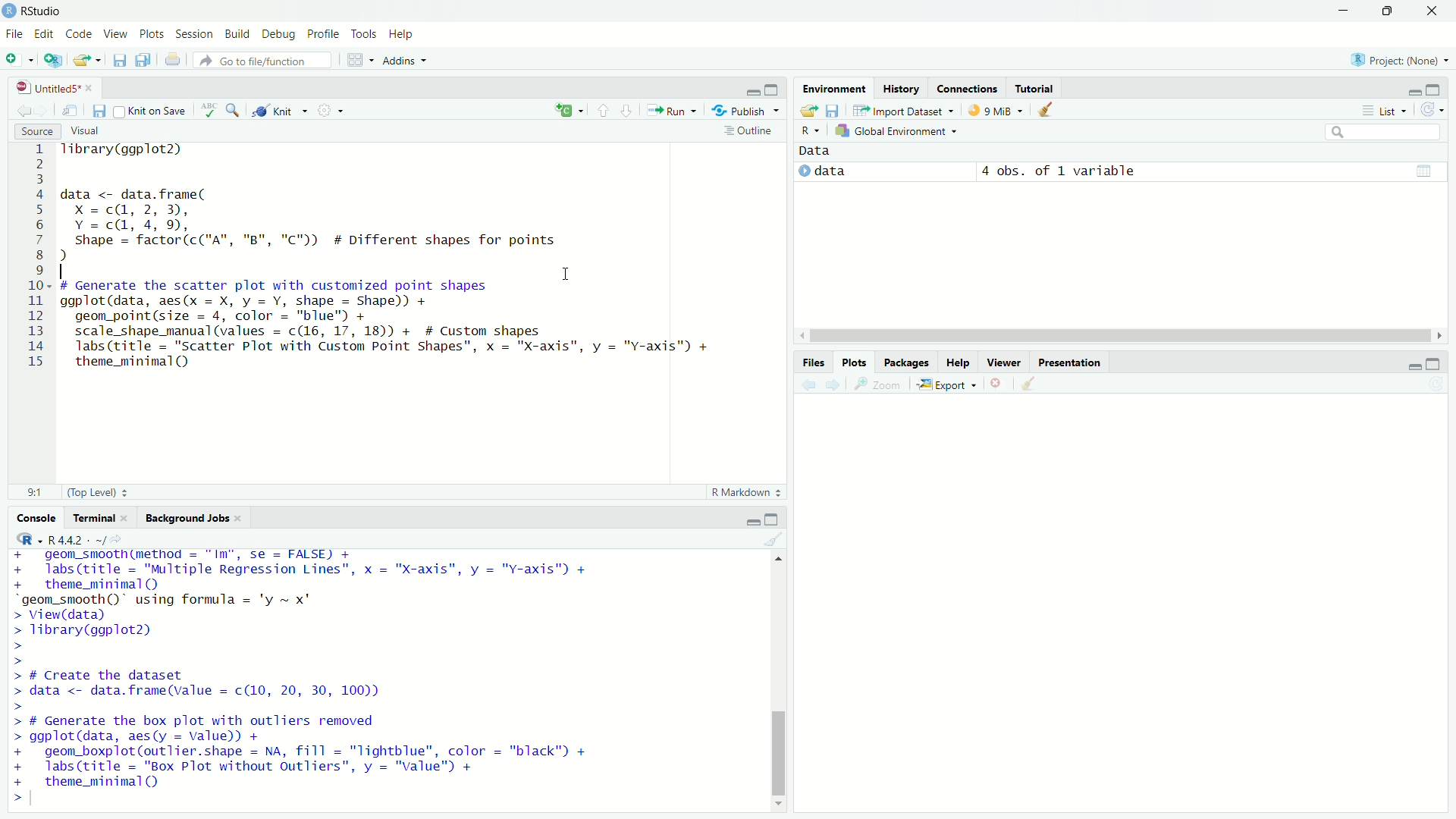 The height and width of the screenshot is (819, 1456). Describe the element at coordinates (262, 61) in the screenshot. I see `Go to file/function` at that location.